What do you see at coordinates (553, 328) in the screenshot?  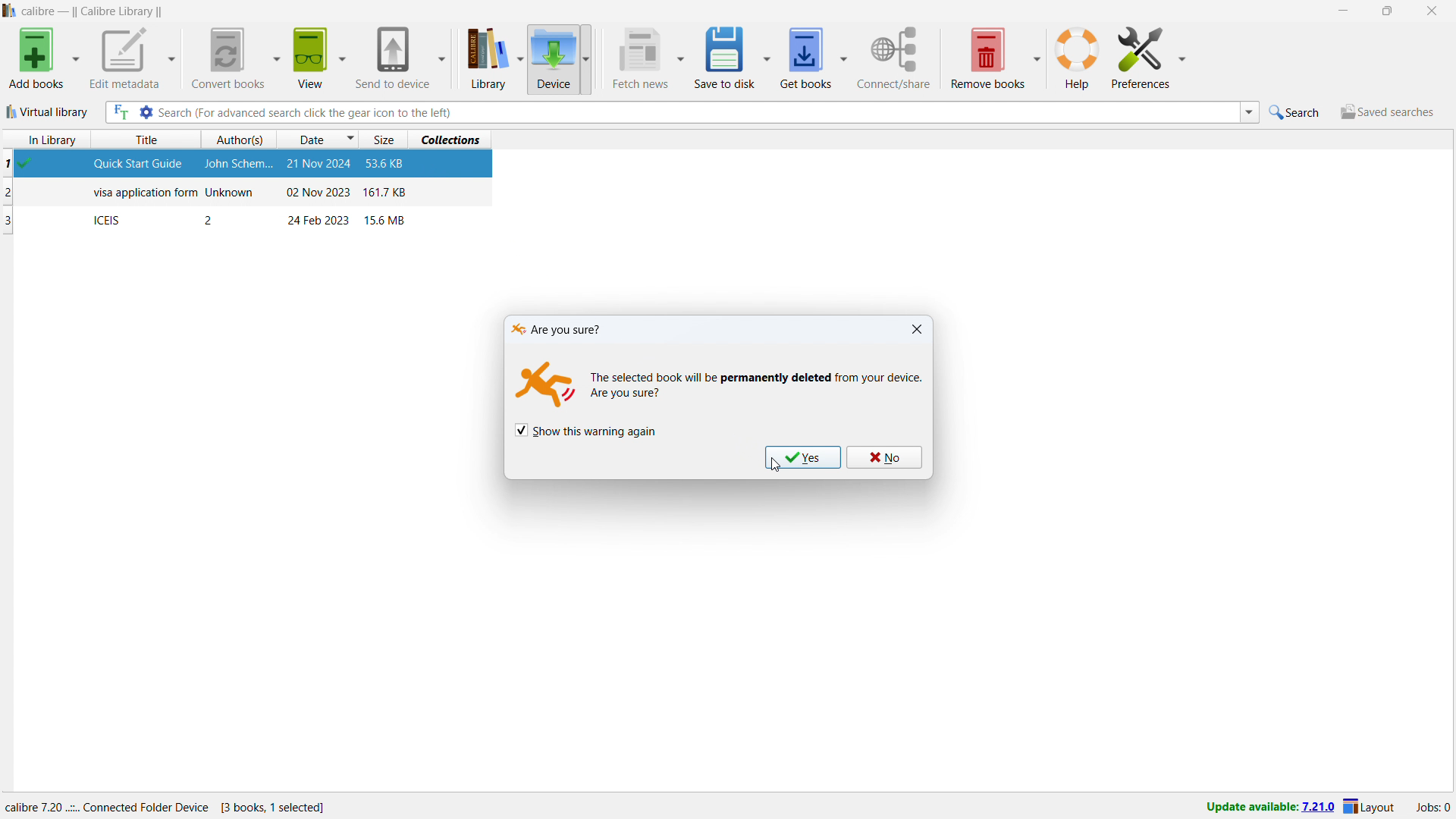 I see `popup message` at bounding box center [553, 328].